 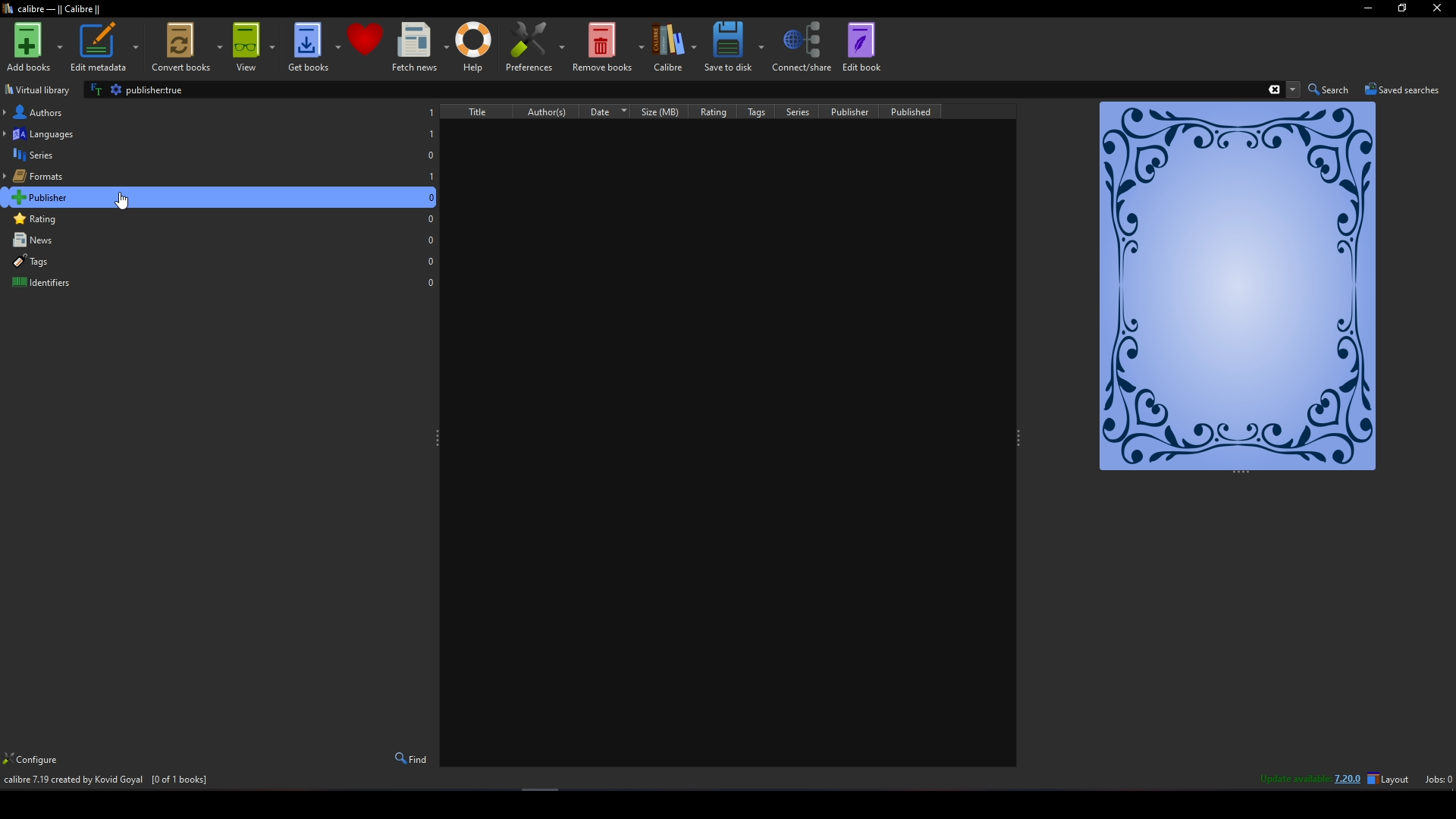 I want to click on Search bar, so click(x=704, y=89).